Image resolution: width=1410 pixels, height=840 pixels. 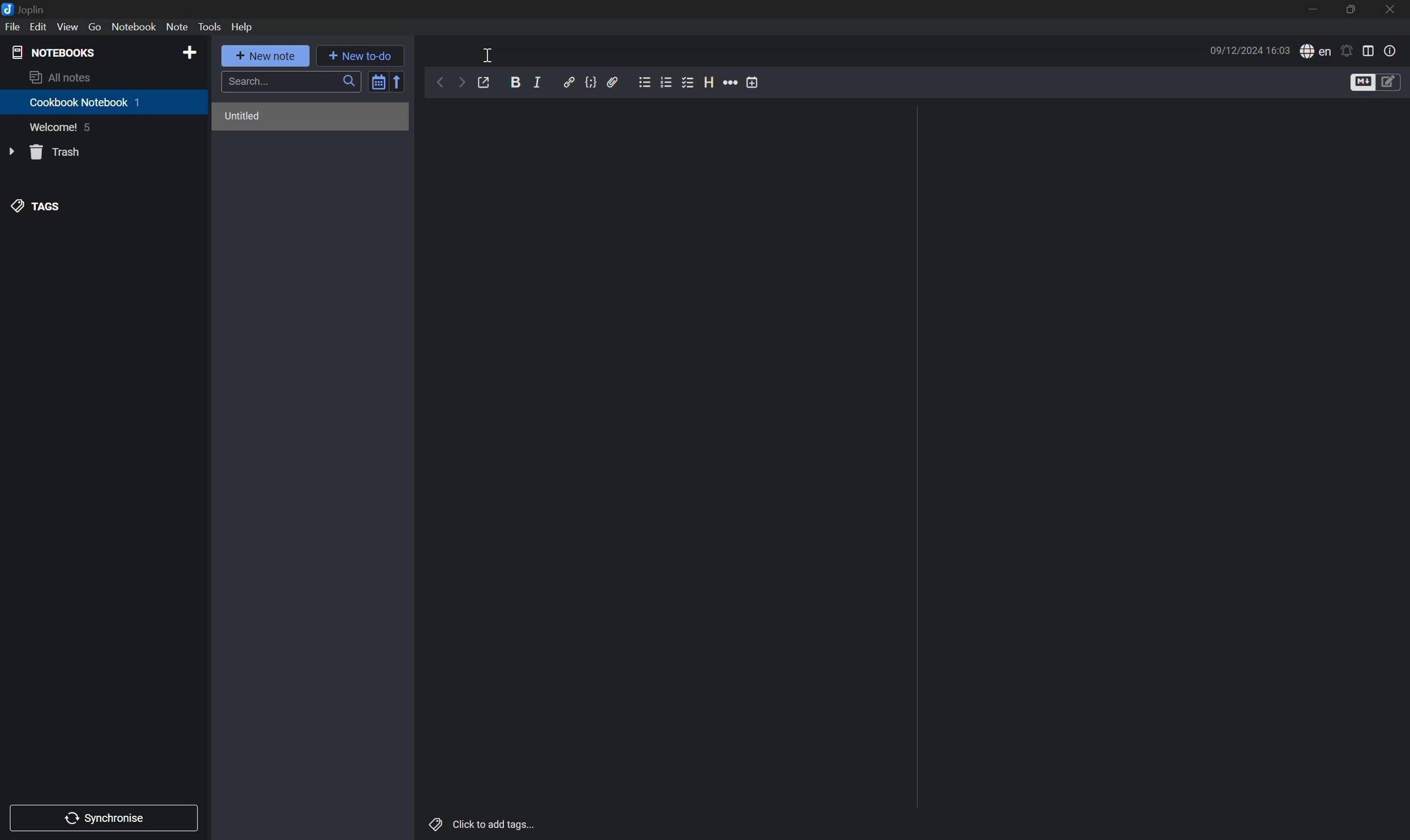 What do you see at coordinates (38, 27) in the screenshot?
I see `Edit` at bounding box center [38, 27].